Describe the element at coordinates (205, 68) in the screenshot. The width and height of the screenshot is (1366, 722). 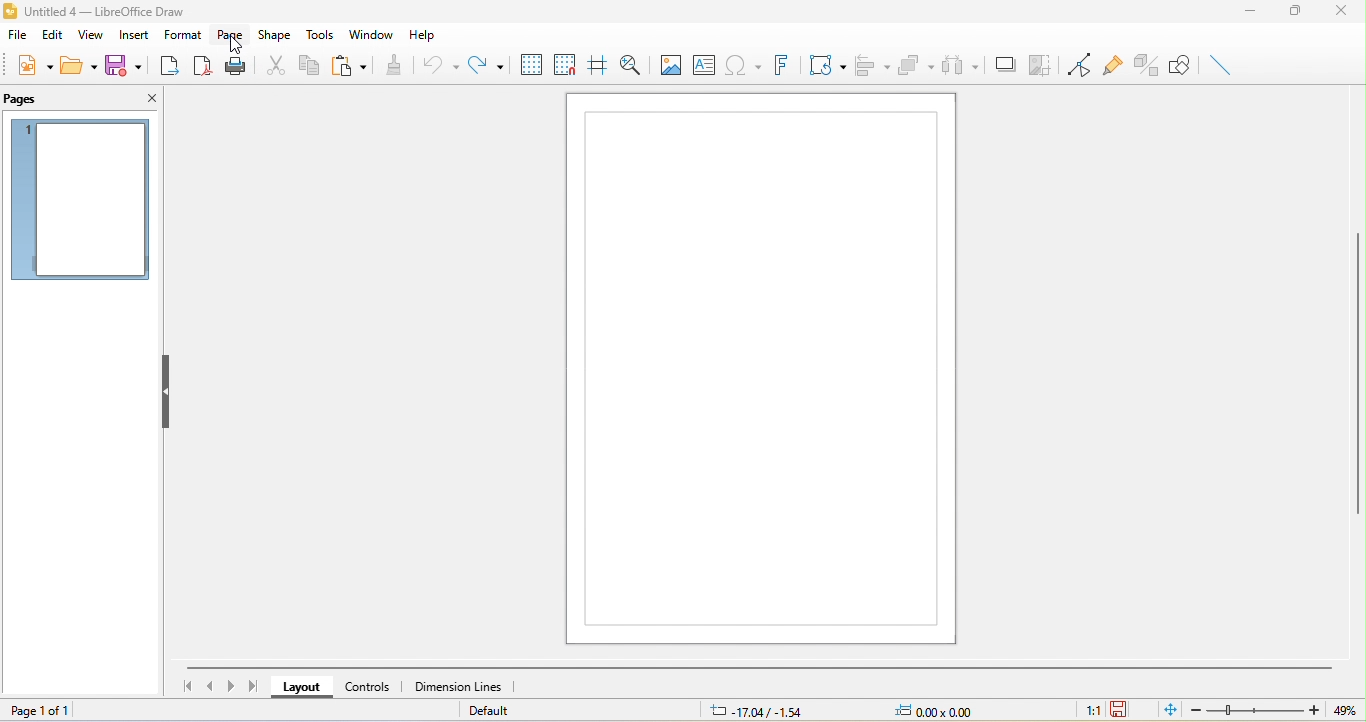
I see `export directly as pdf` at that location.